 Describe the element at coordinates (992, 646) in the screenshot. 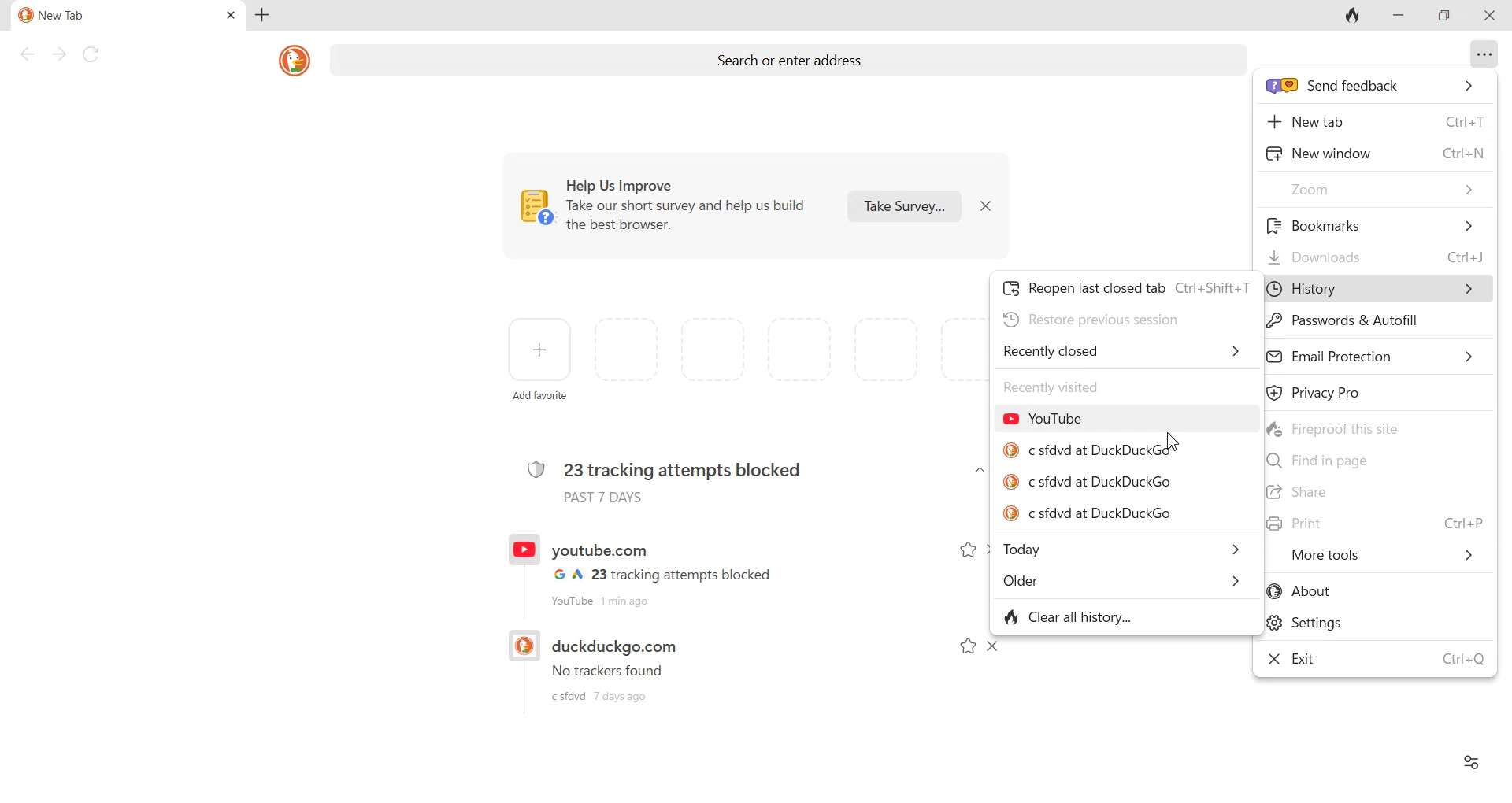

I see `Dismiss ` at that location.